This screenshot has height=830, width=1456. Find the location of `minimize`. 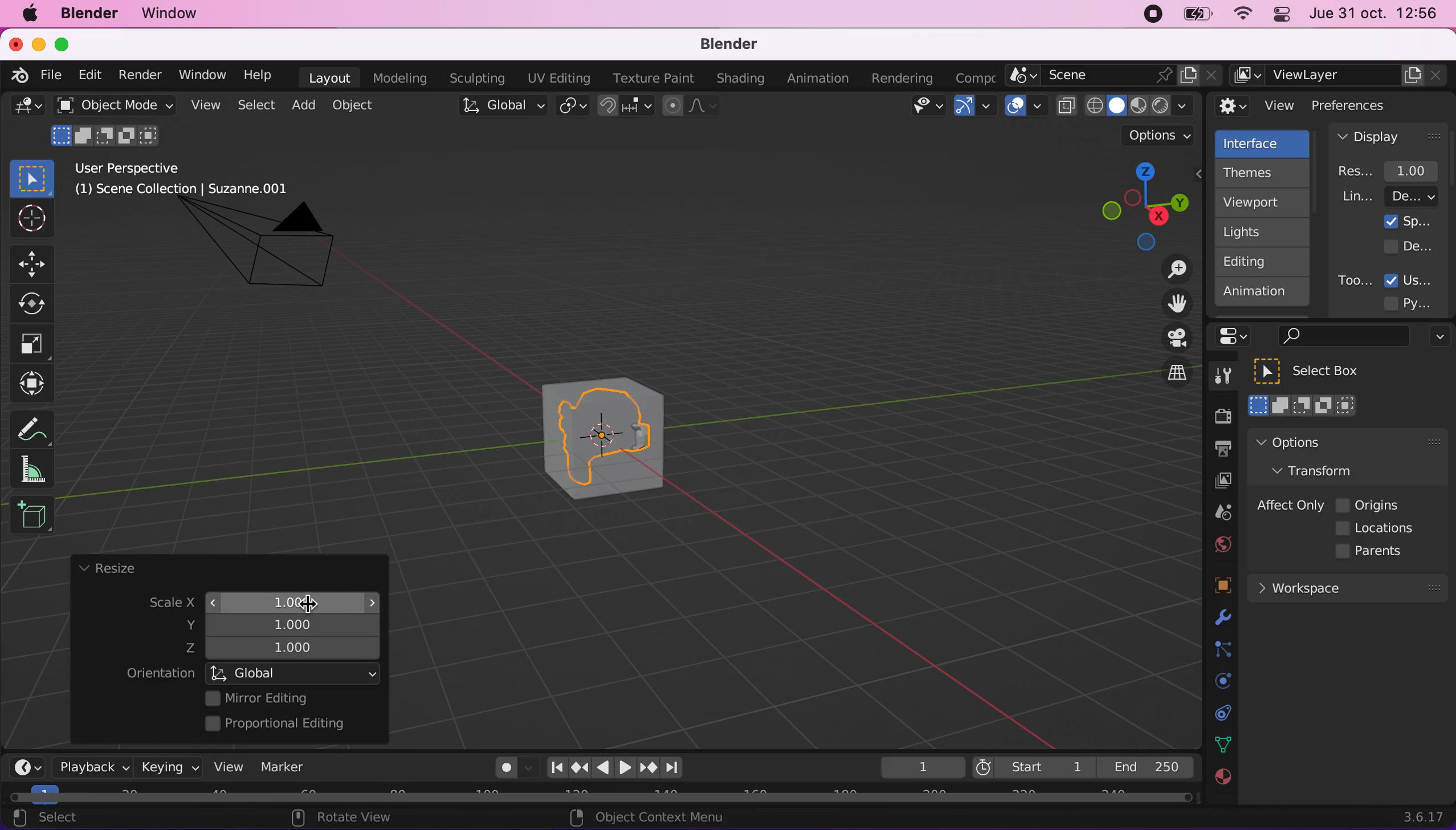

minimize is located at coordinates (36, 43).